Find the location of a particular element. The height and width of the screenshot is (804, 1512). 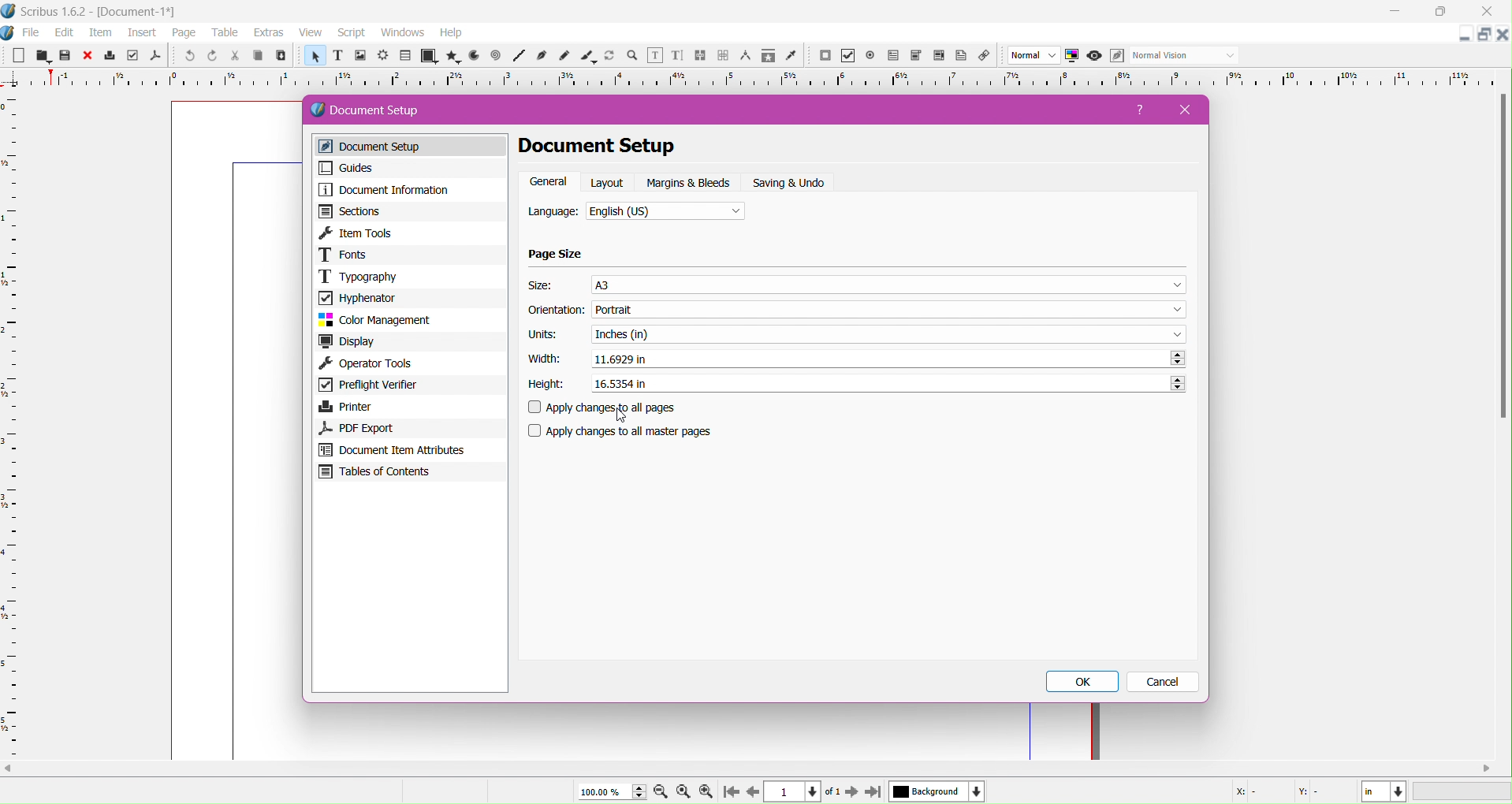

Size is located at coordinates (543, 285).